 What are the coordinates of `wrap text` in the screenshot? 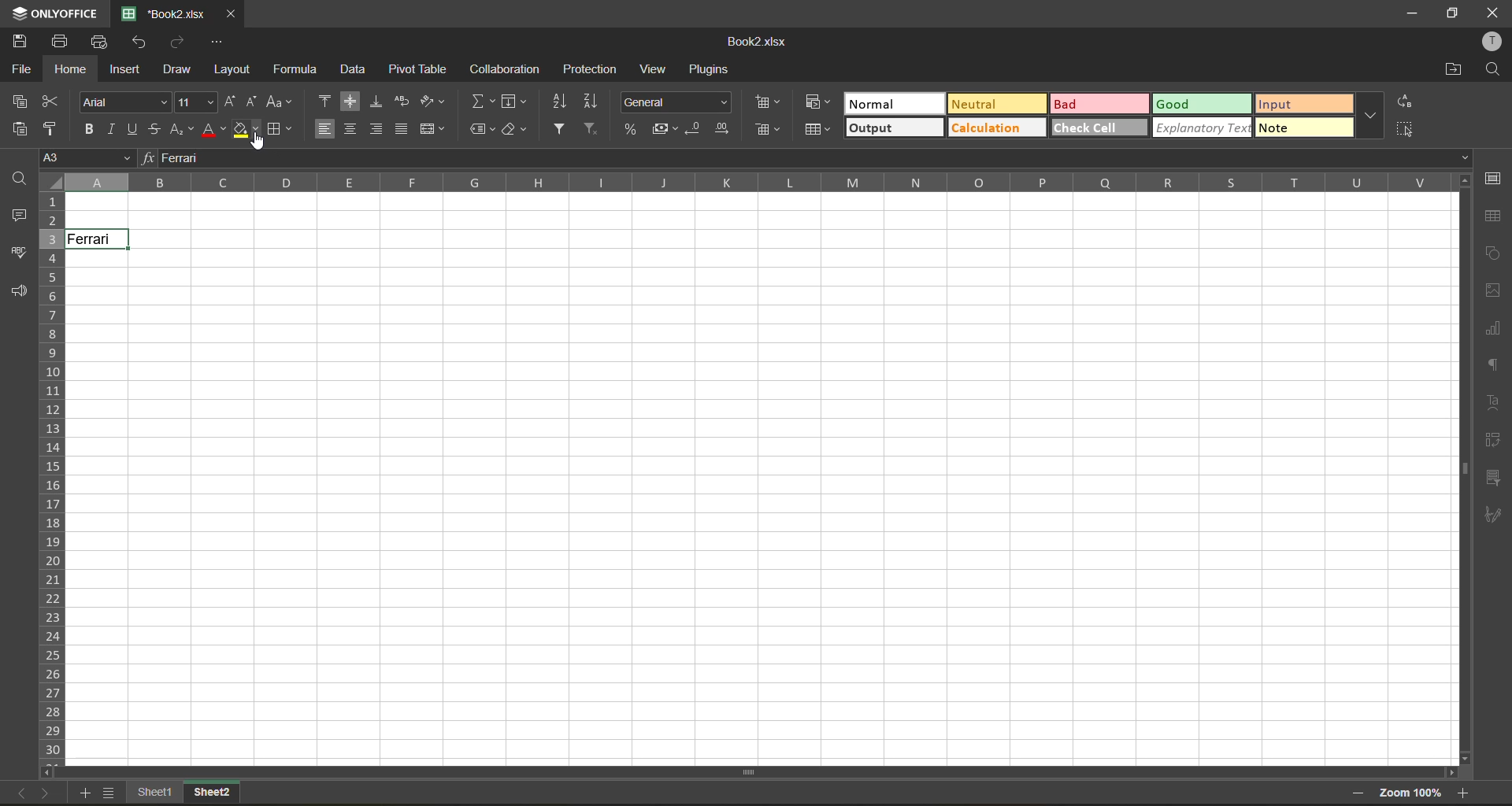 It's located at (402, 102).